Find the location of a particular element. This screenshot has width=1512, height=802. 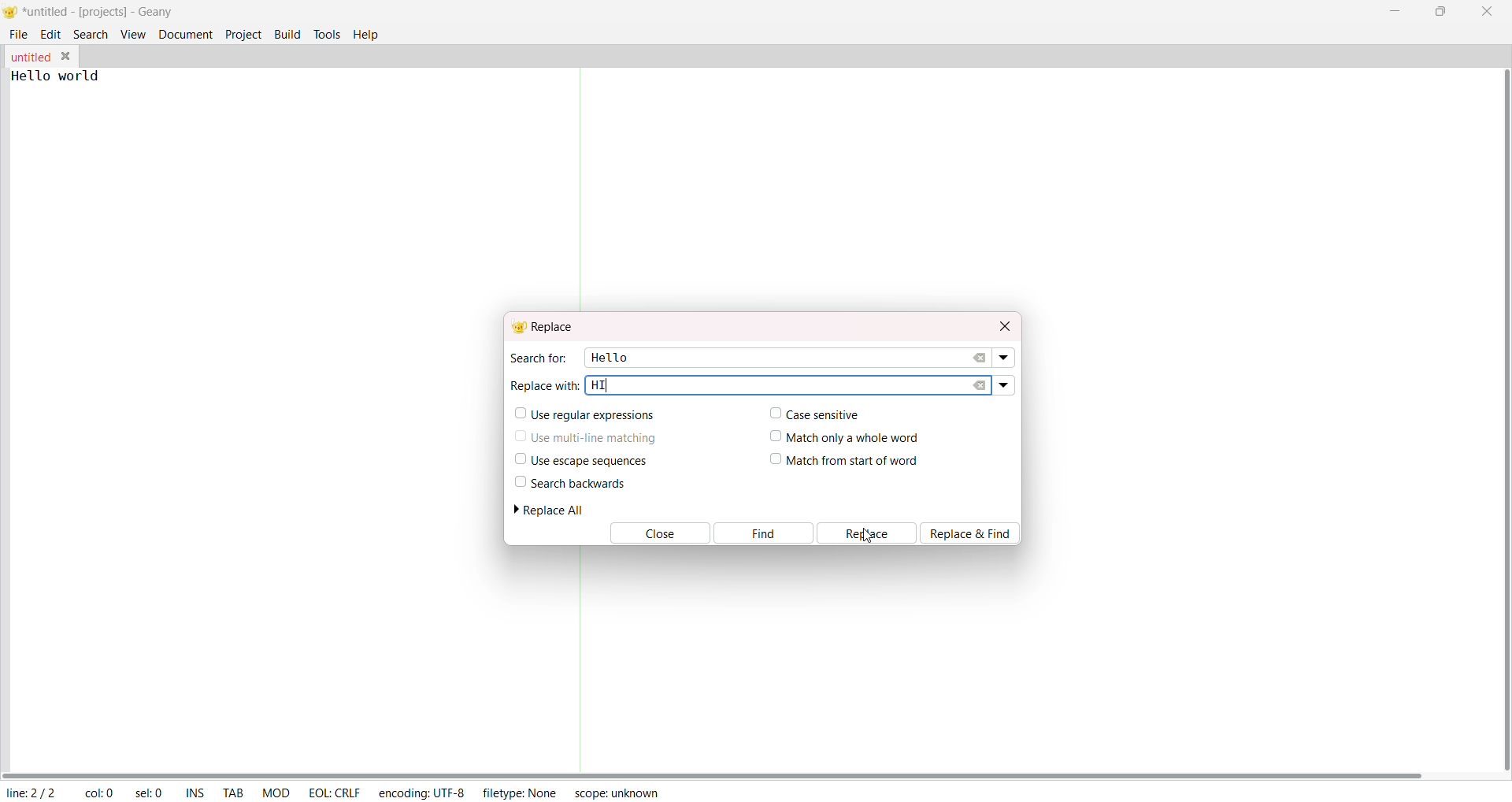

replace all is located at coordinates (555, 510).